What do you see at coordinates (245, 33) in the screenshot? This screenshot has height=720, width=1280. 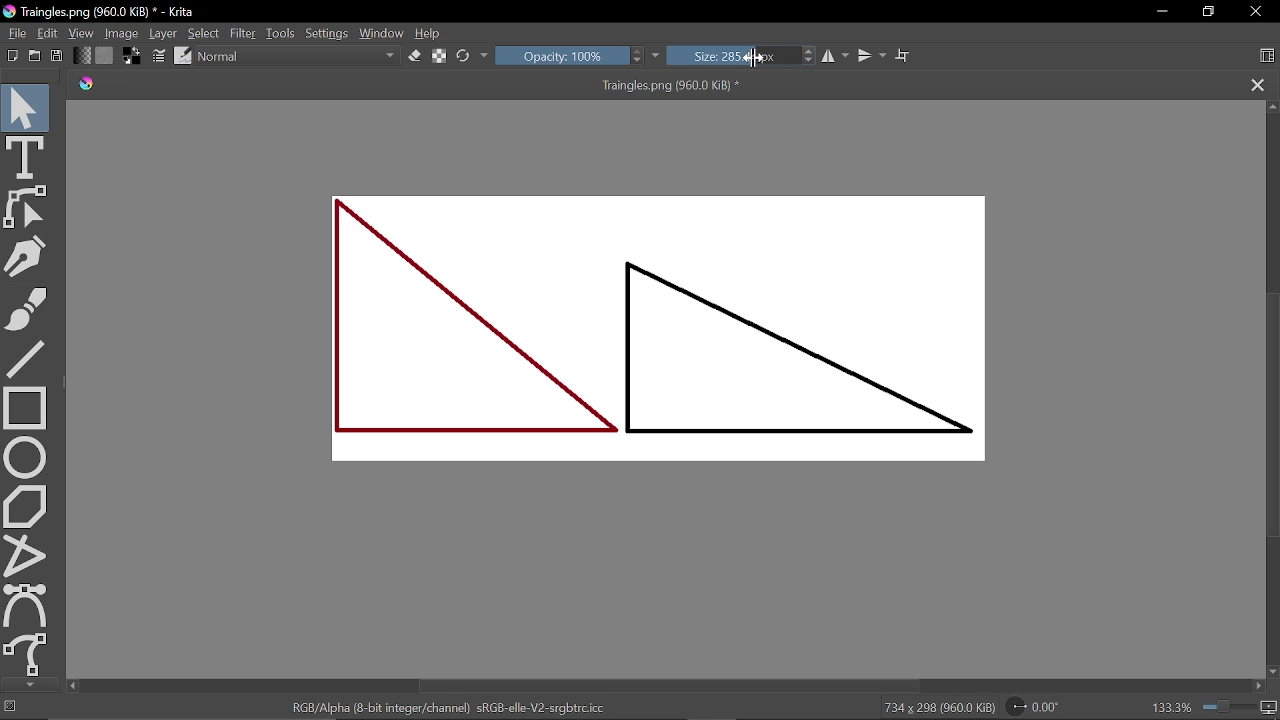 I see `Filter` at bounding box center [245, 33].